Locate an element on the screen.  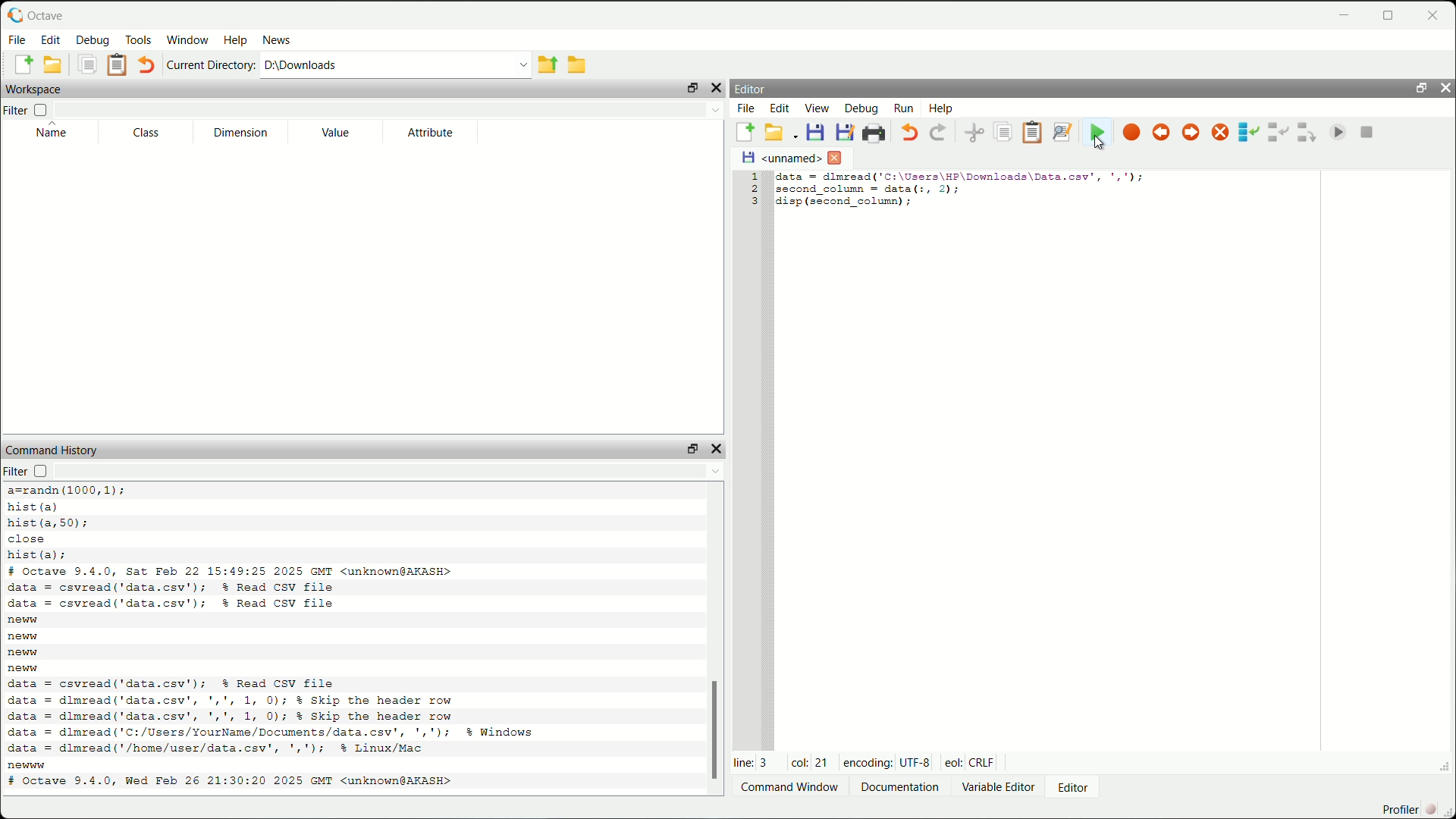
run is located at coordinates (901, 108).